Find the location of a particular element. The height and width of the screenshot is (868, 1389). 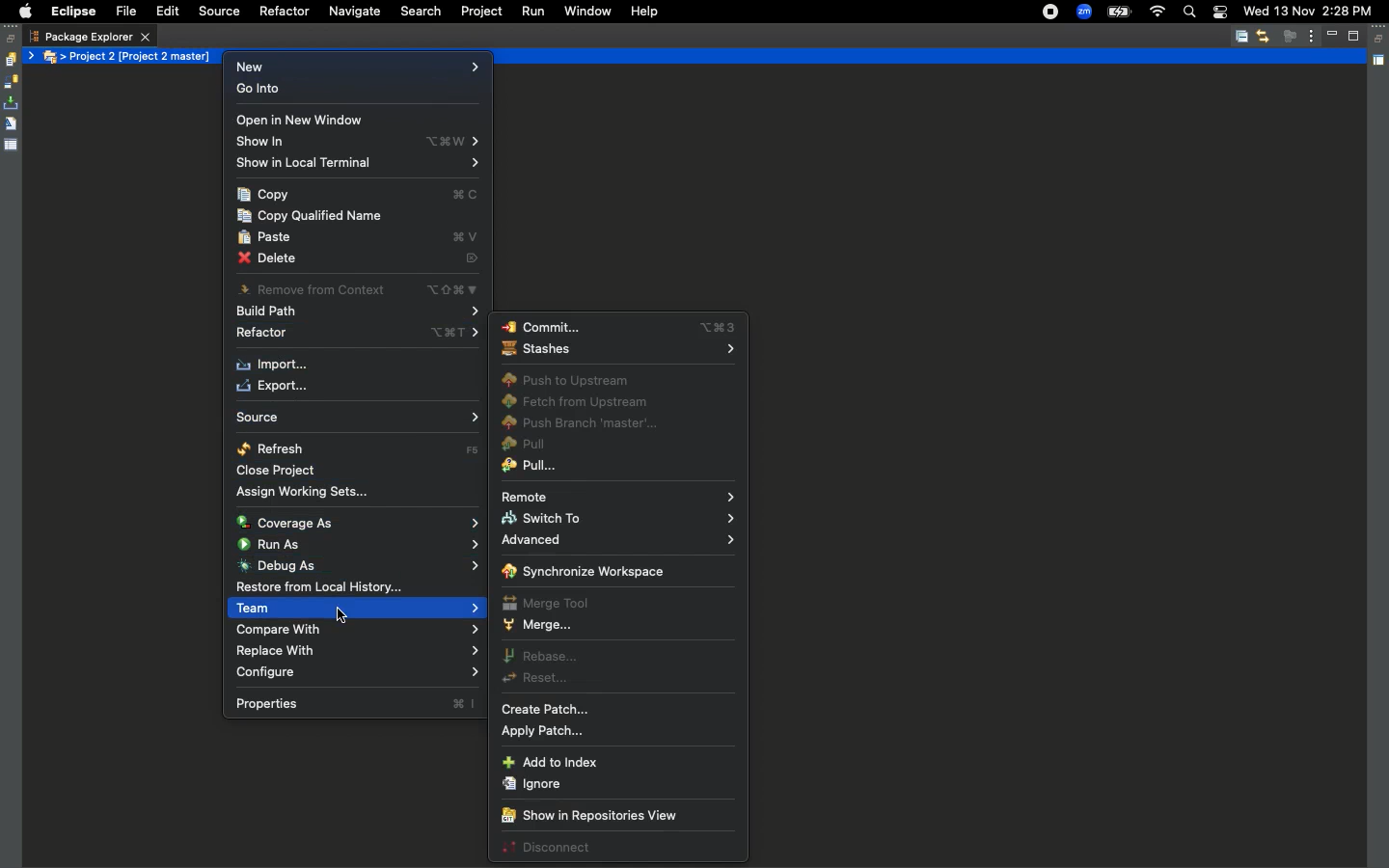

Commit is located at coordinates (620, 327).